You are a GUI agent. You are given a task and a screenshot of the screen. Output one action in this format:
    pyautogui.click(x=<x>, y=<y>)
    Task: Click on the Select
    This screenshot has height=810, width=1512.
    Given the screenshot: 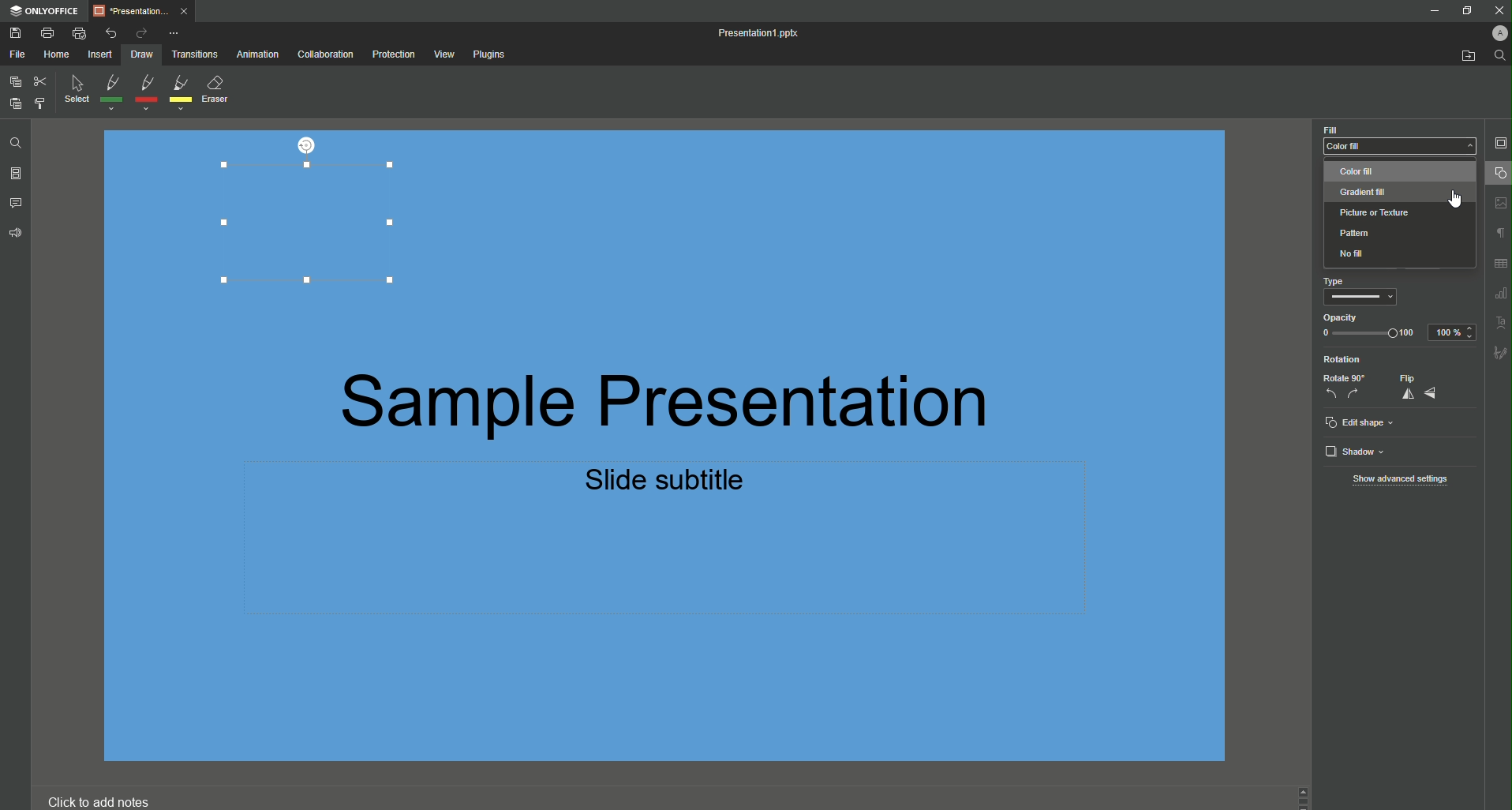 What is the action you would take?
    pyautogui.click(x=75, y=92)
    